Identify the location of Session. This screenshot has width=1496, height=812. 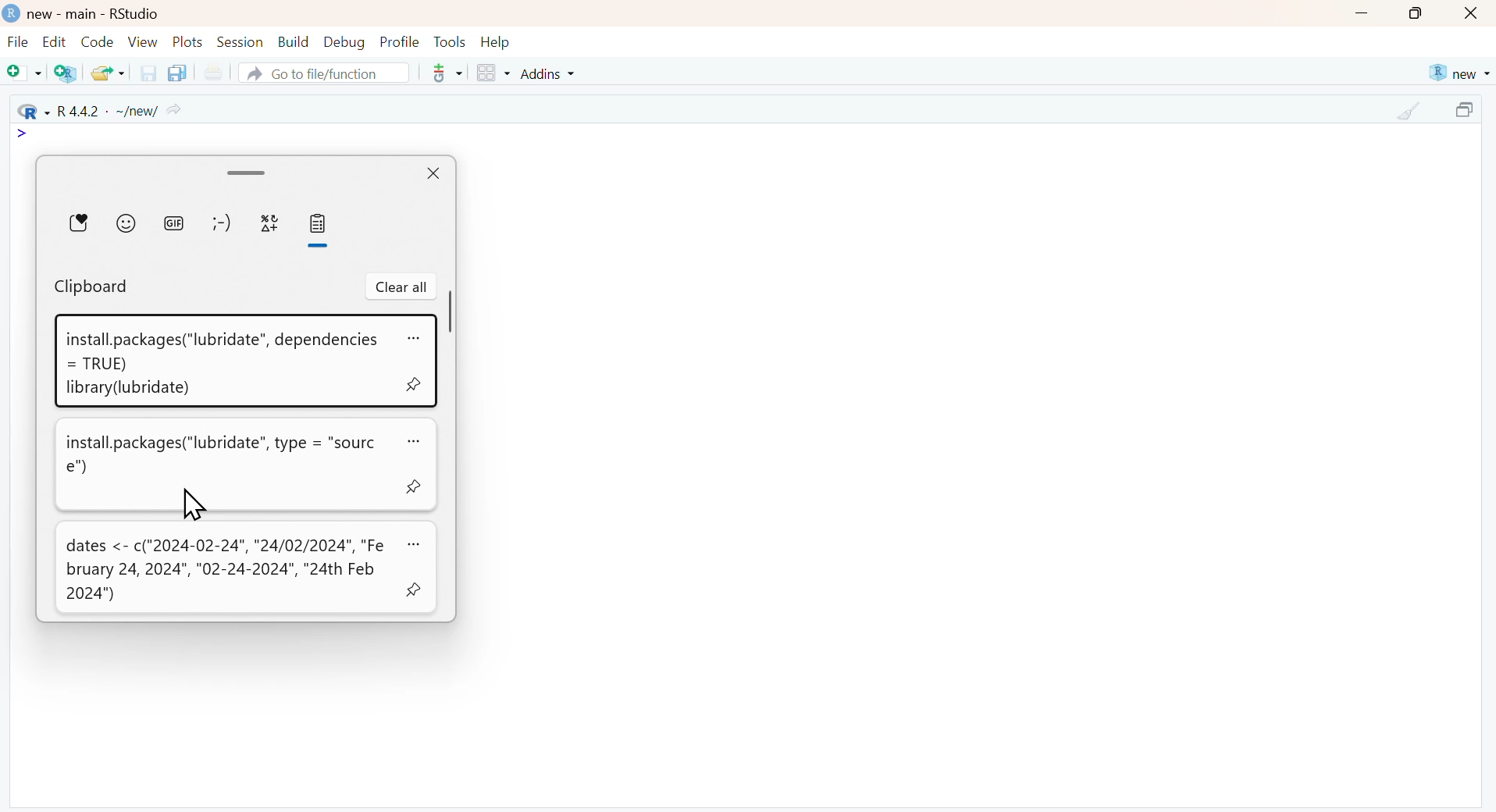
(240, 41).